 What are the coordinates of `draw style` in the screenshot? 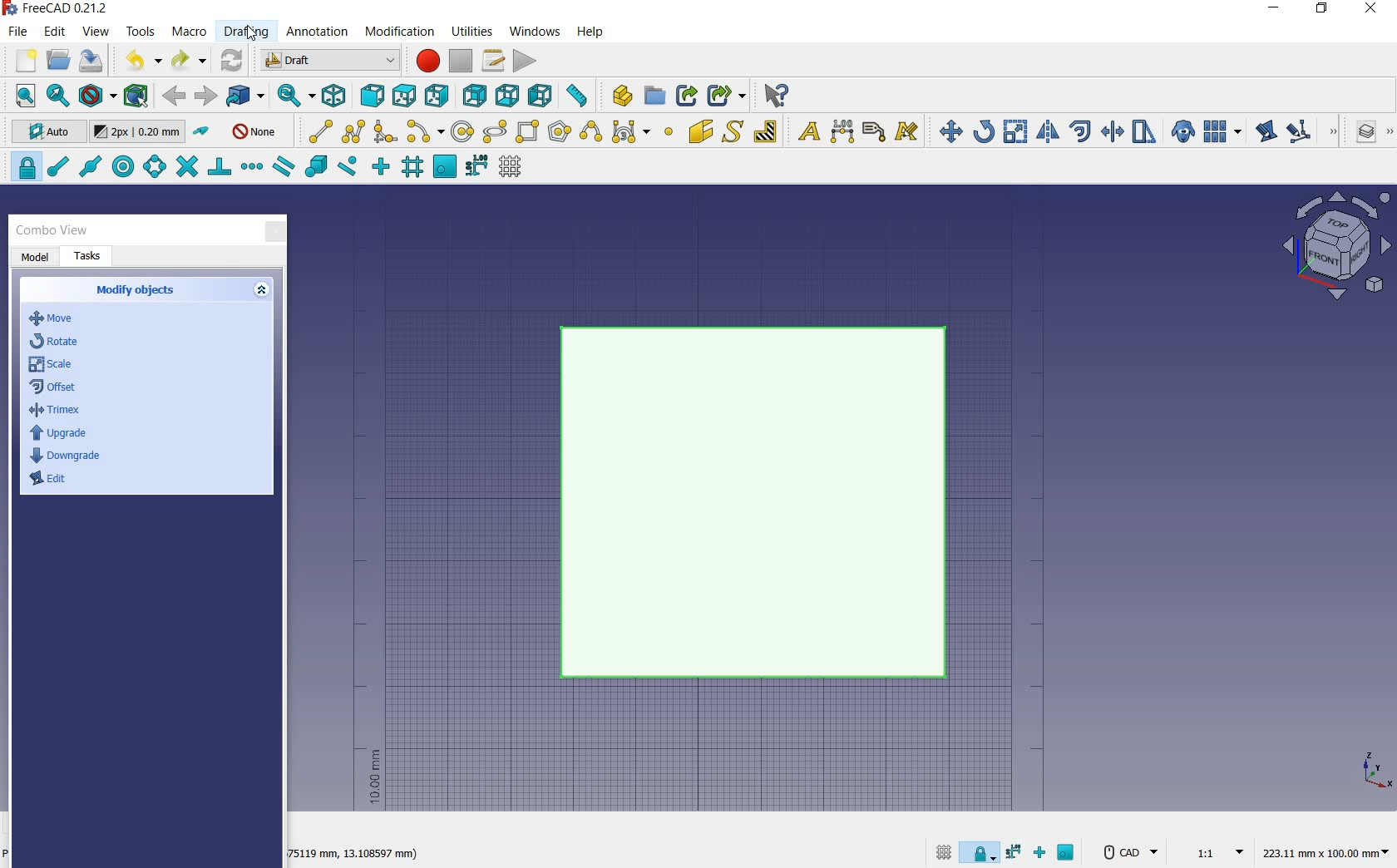 It's located at (97, 96).